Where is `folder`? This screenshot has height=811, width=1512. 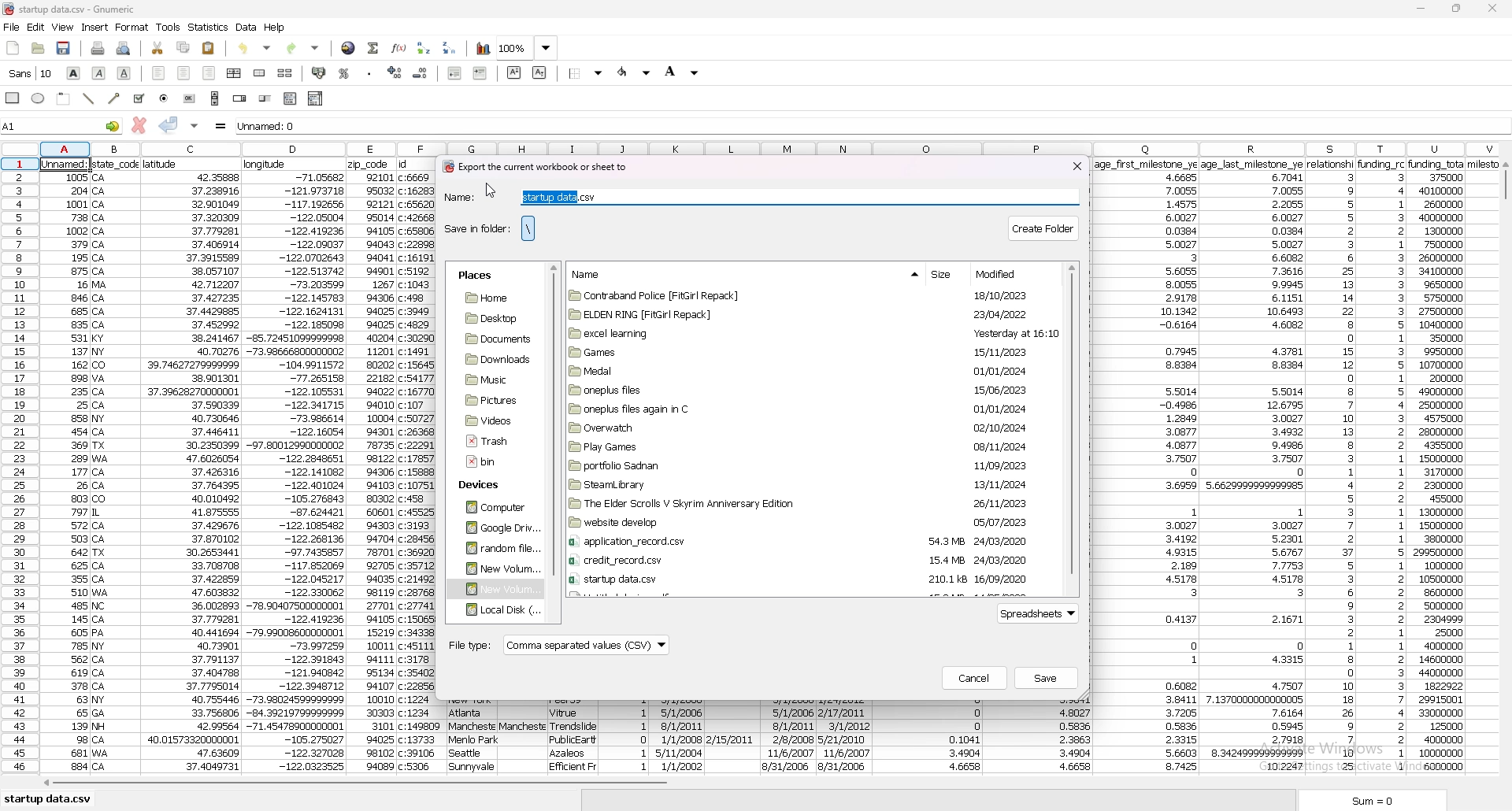 folder is located at coordinates (494, 590).